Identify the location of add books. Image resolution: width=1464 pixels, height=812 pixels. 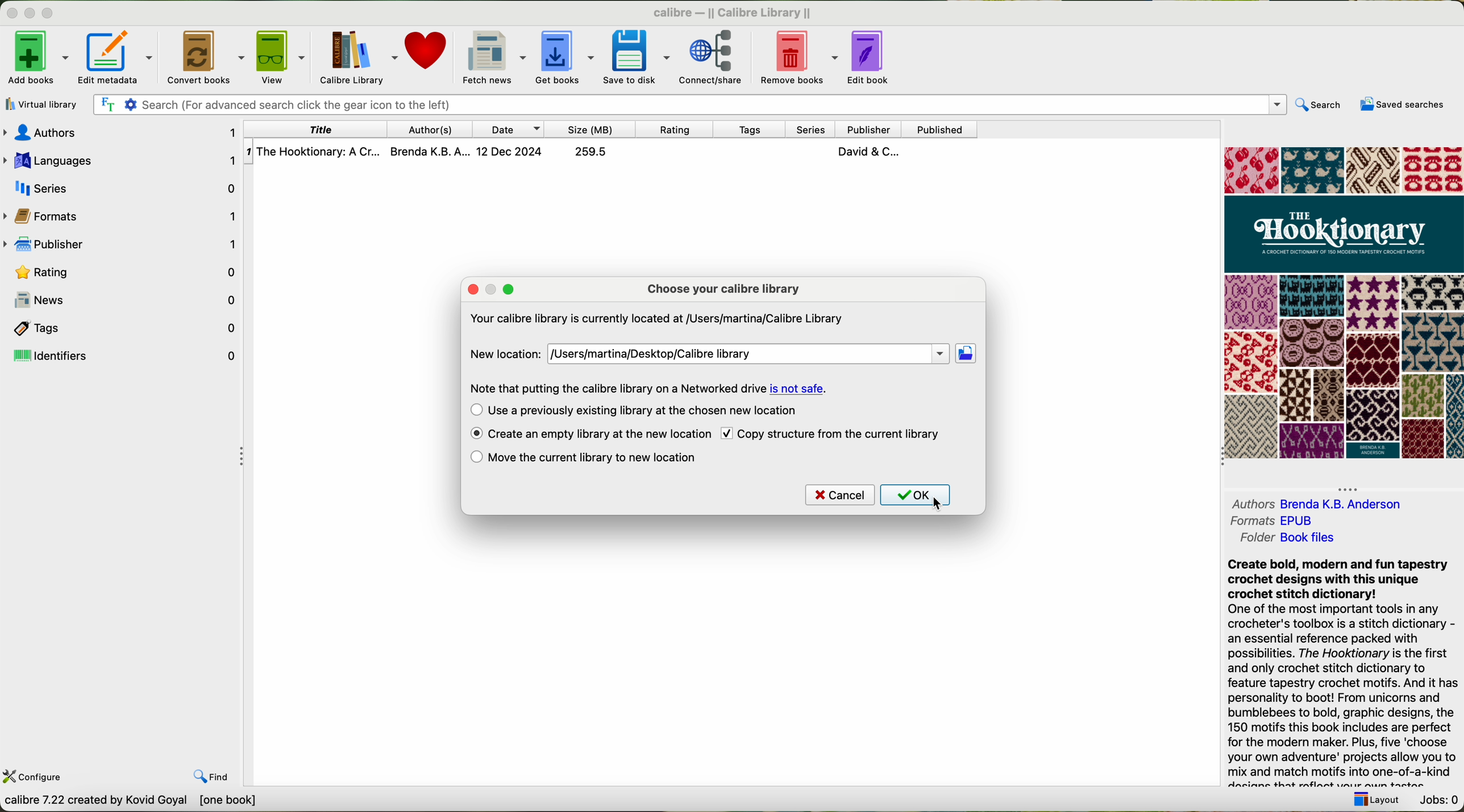
(35, 59).